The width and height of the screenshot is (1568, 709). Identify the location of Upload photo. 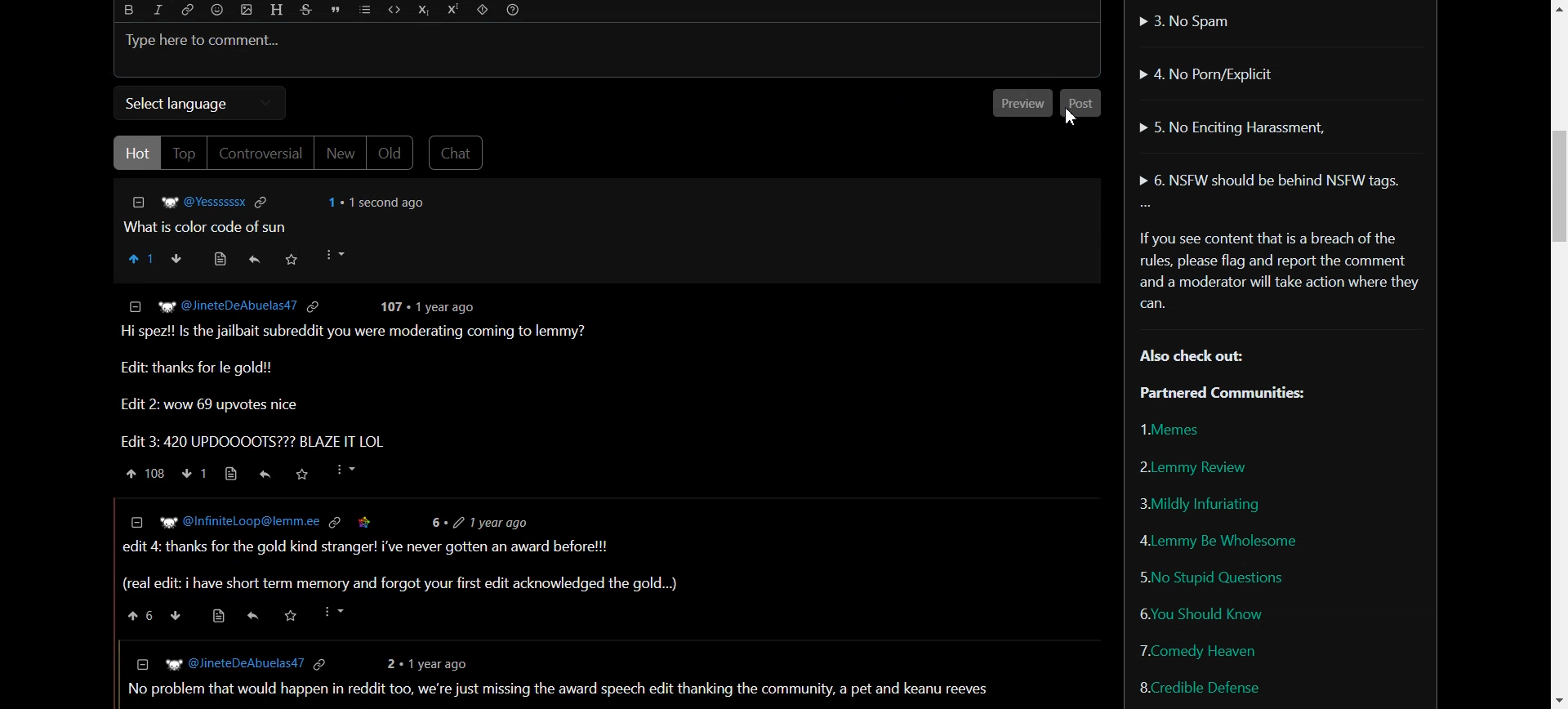
(247, 9).